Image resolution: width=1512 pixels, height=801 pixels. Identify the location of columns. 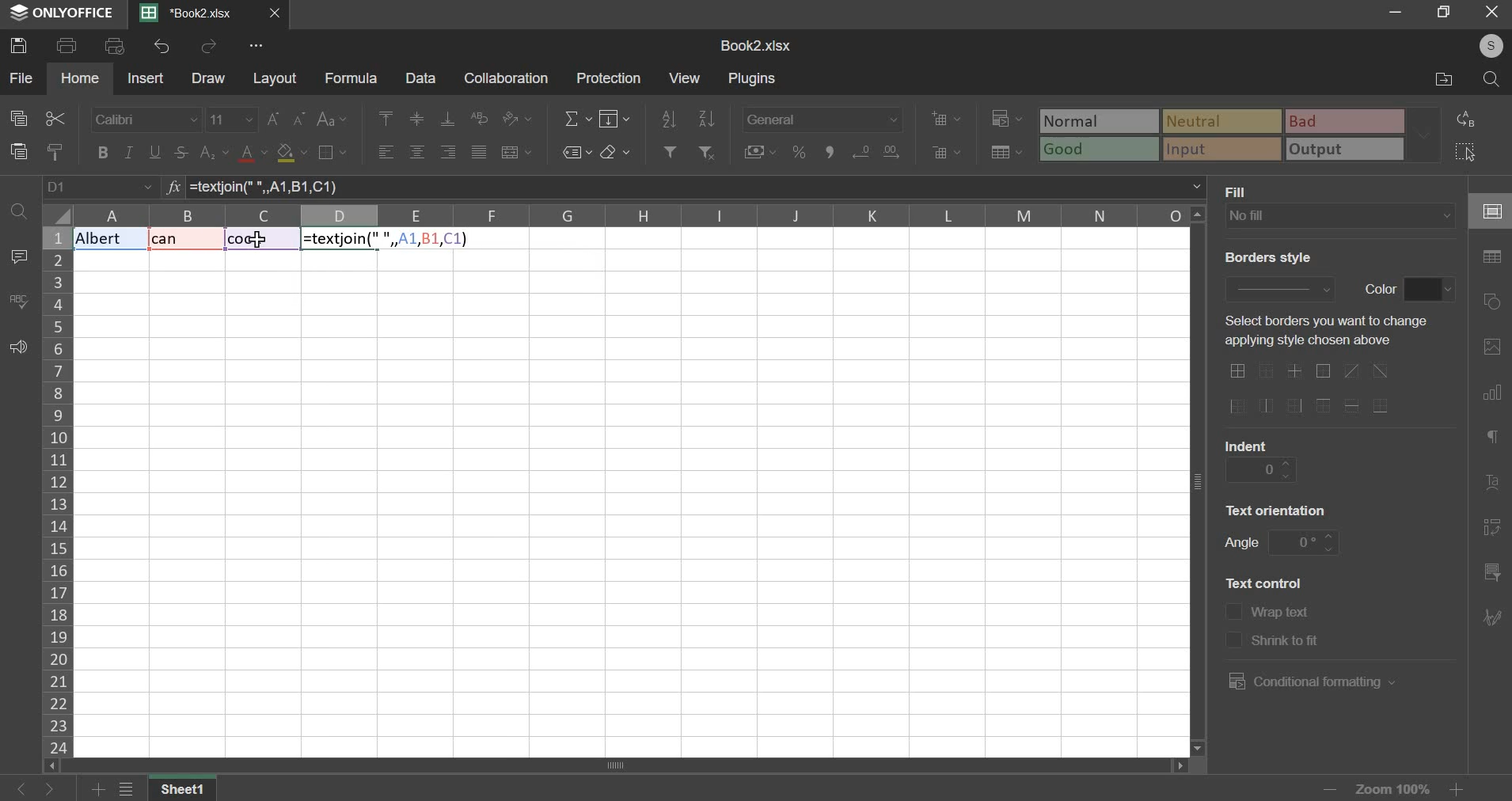
(633, 216).